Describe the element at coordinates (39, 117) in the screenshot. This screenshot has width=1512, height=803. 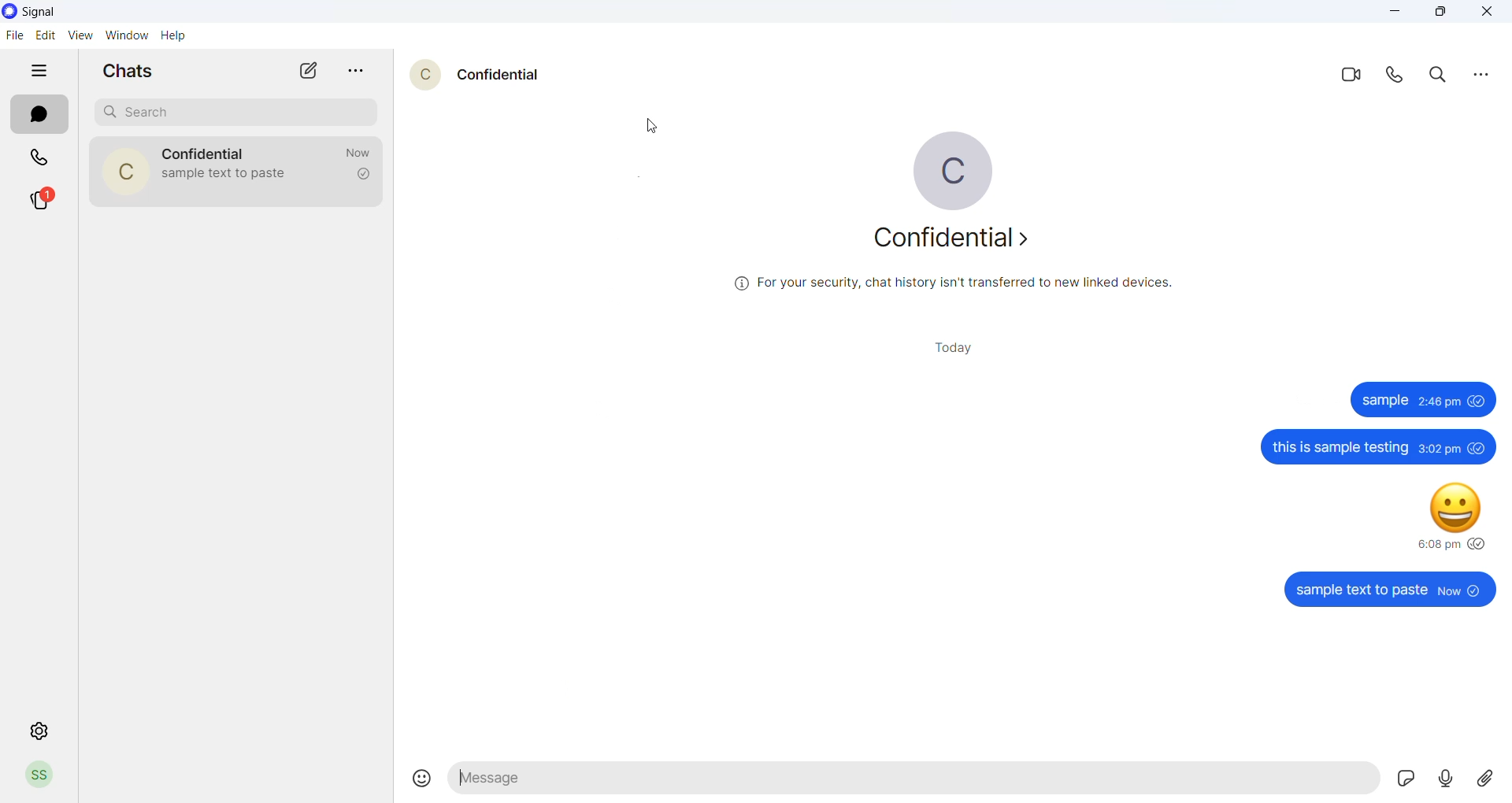
I see `chats` at that location.